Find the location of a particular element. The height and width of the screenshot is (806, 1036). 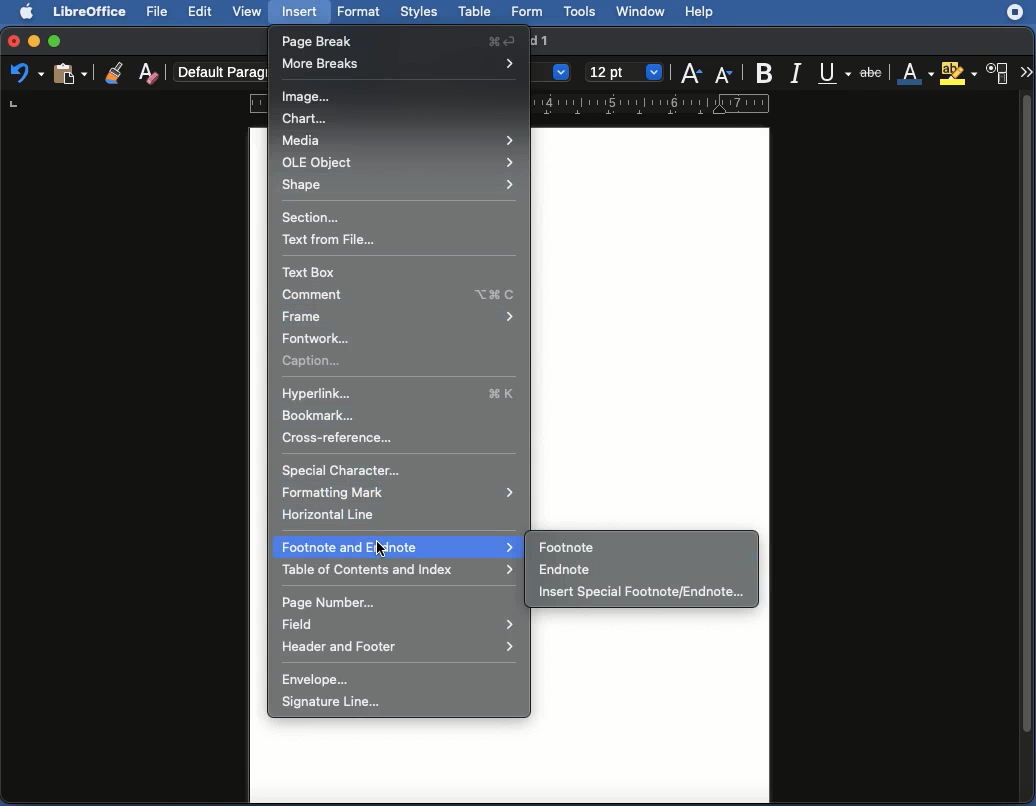

help is located at coordinates (699, 12).